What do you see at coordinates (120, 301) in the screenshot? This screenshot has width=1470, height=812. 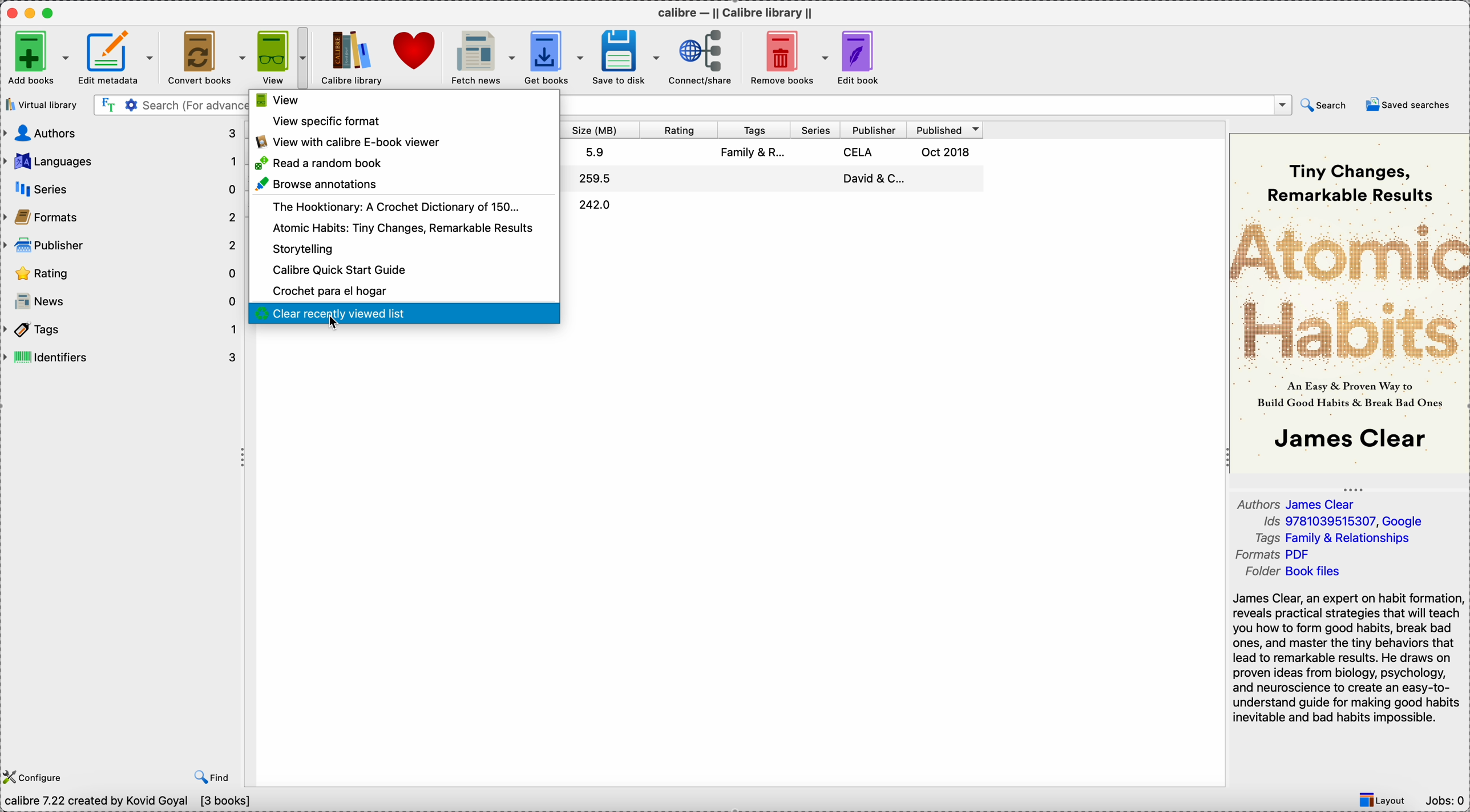 I see `news` at bounding box center [120, 301].